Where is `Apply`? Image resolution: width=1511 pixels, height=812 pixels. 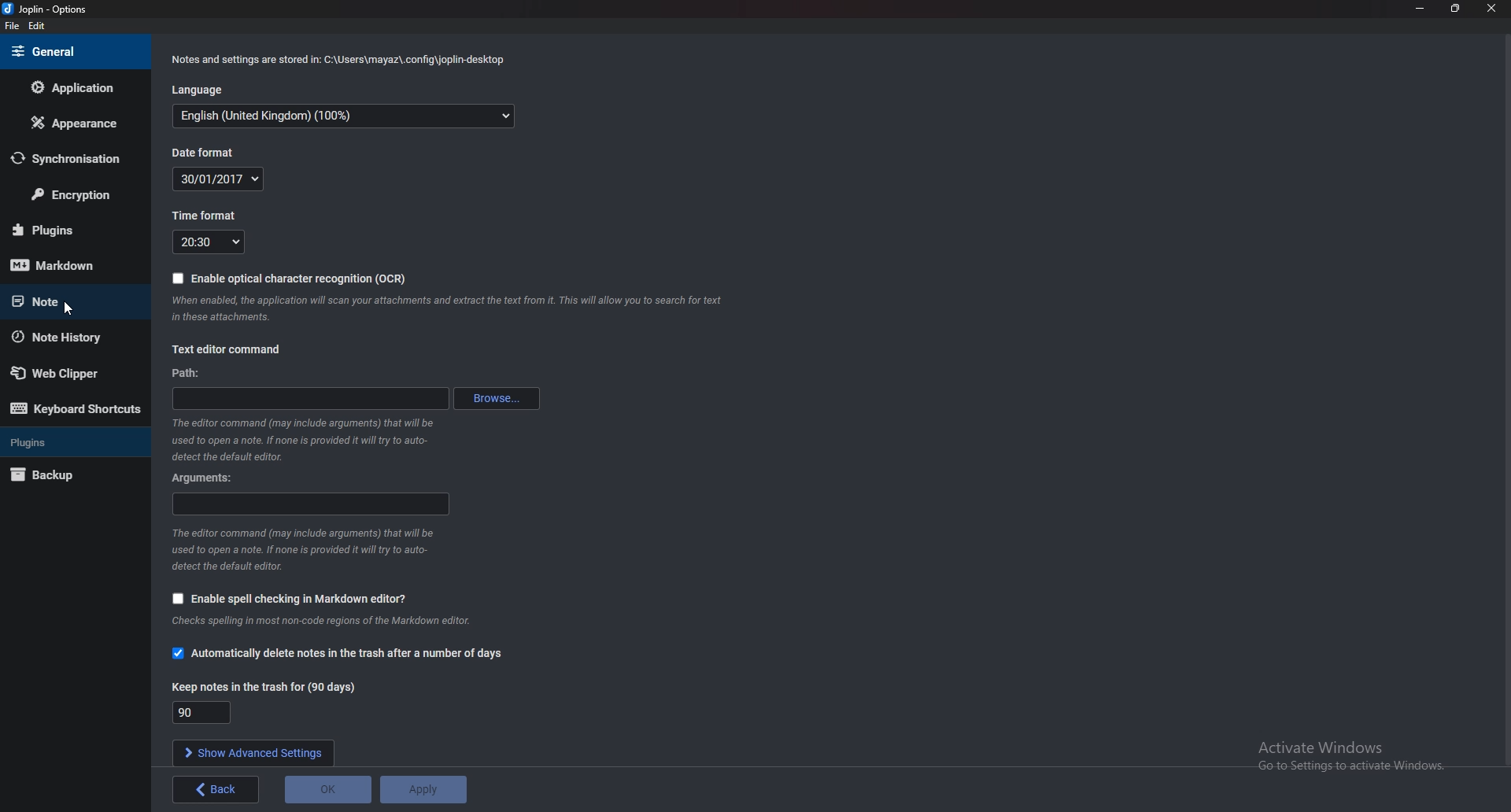 Apply is located at coordinates (426, 788).